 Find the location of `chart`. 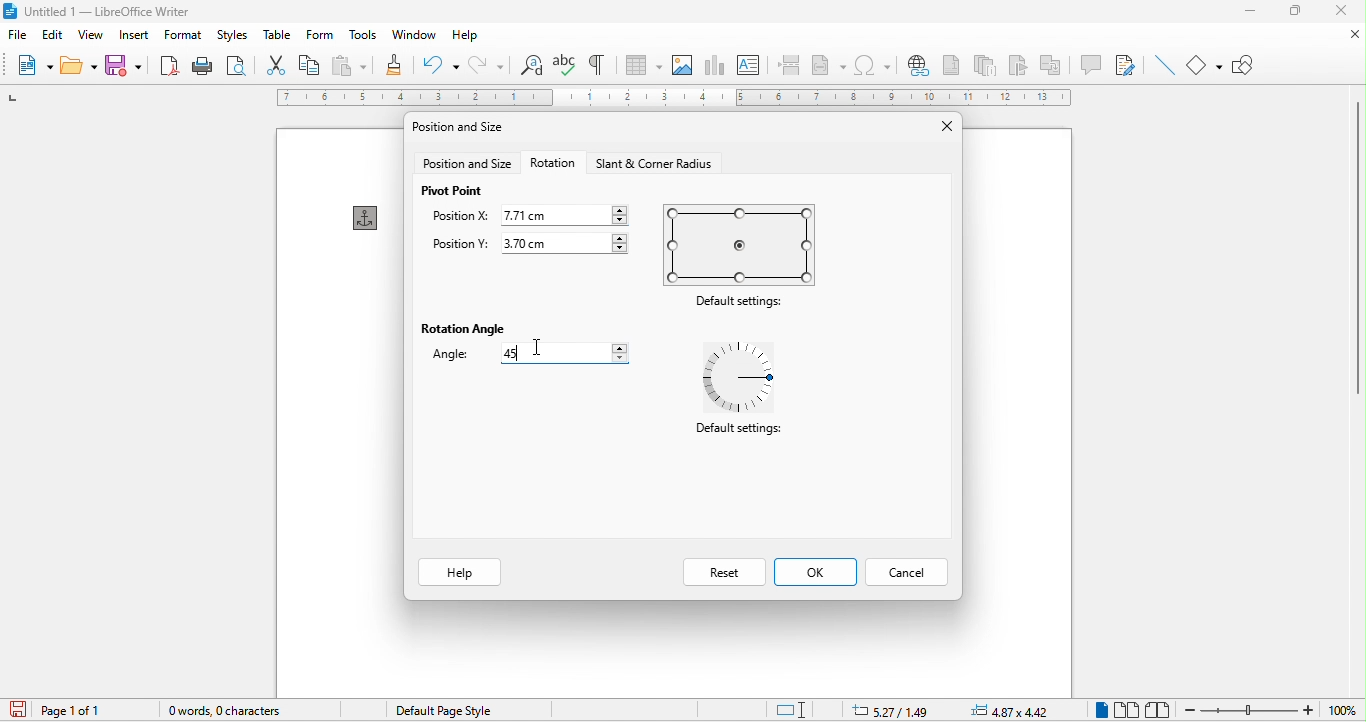

chart is located at coordinates (718, 65).